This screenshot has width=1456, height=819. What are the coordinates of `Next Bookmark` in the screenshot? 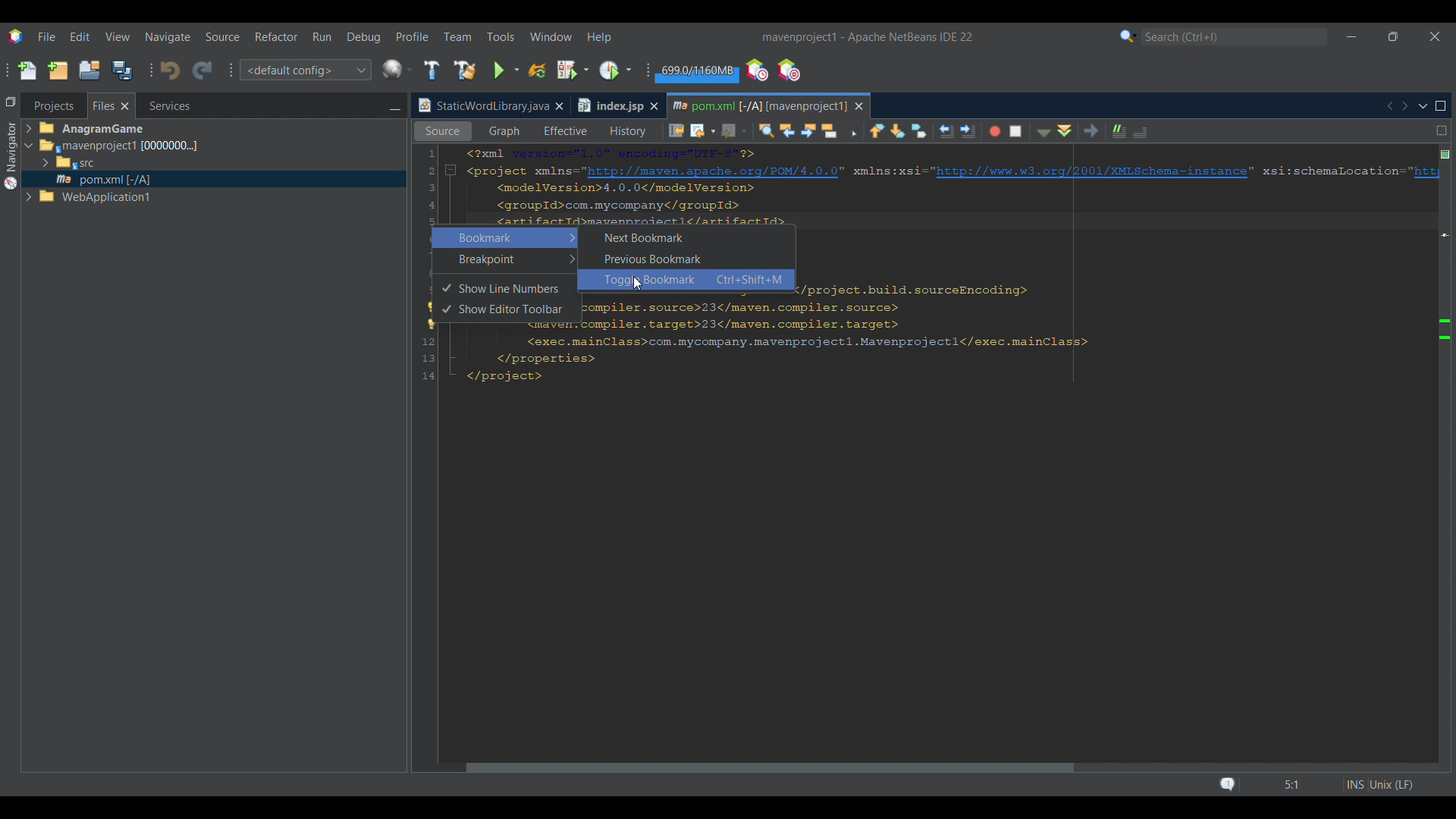 It's located at (686, 236).